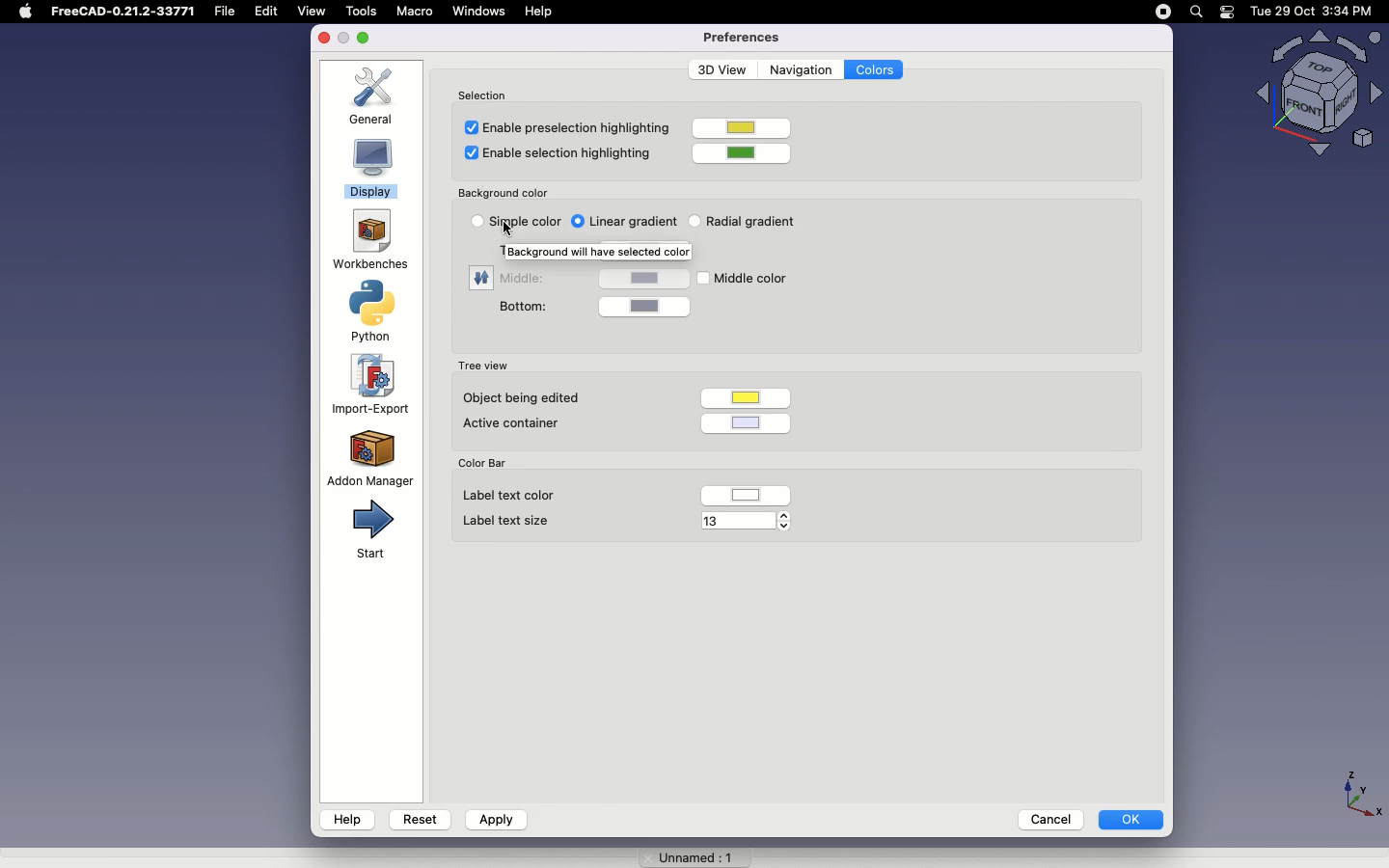 The height and width of the screenshot is (868, 1389). Describe the element at coordinates (126, 14) in the screenshot. I see `FreeCAD-0.21.2-33Y71` at that location.